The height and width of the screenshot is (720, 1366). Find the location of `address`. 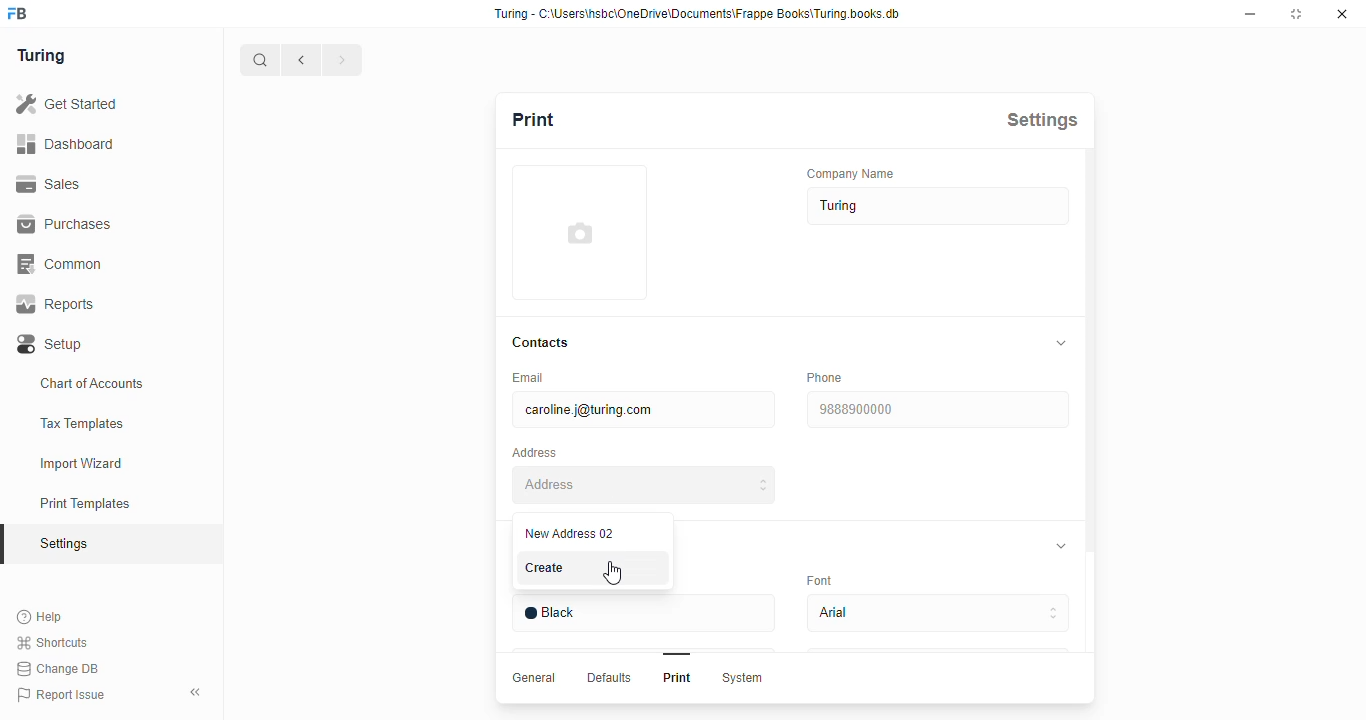

address is located at coordinates (534, 453).